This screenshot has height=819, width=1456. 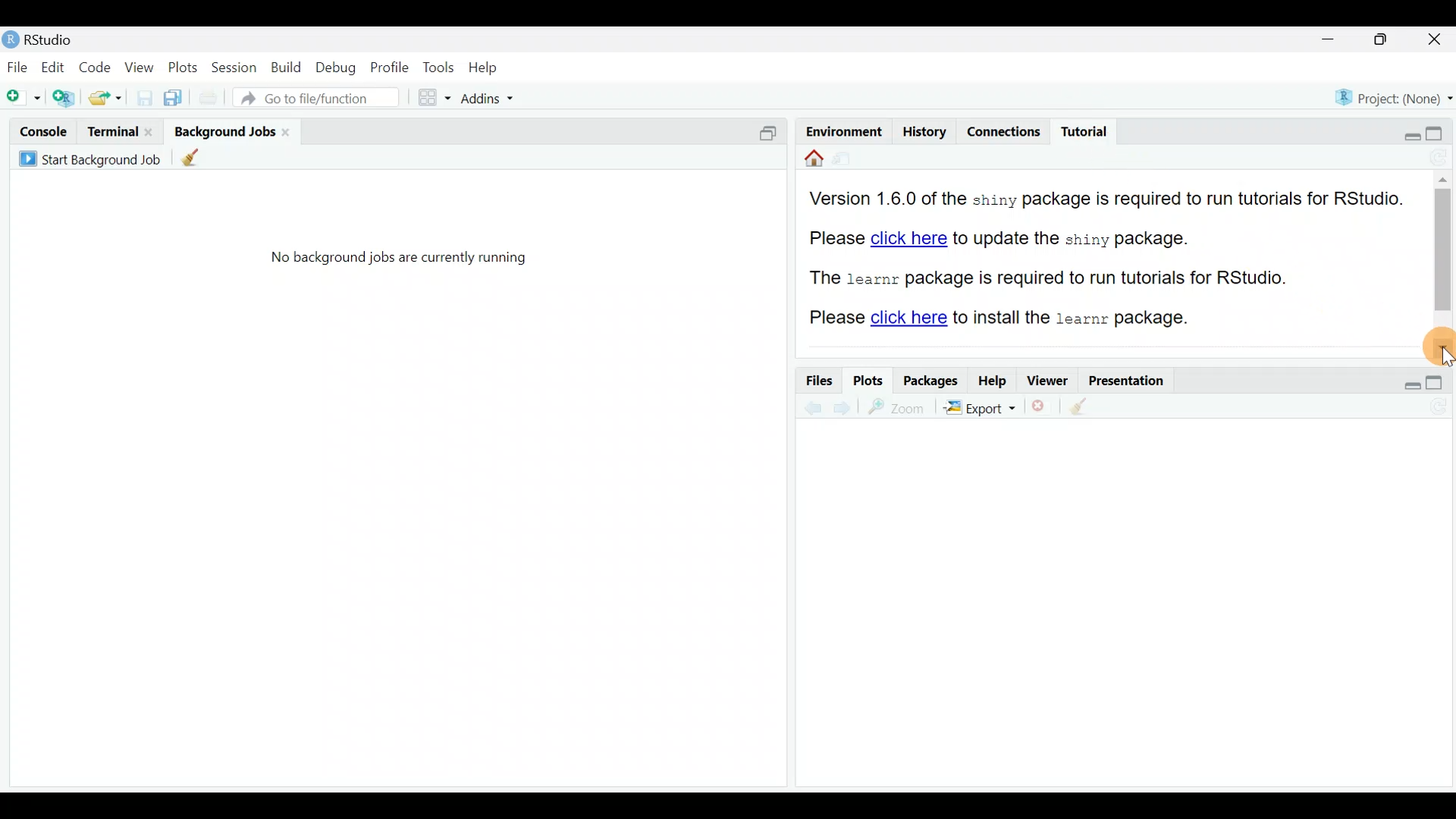 I want to click on Presentation, so click(x=1134, y=380).